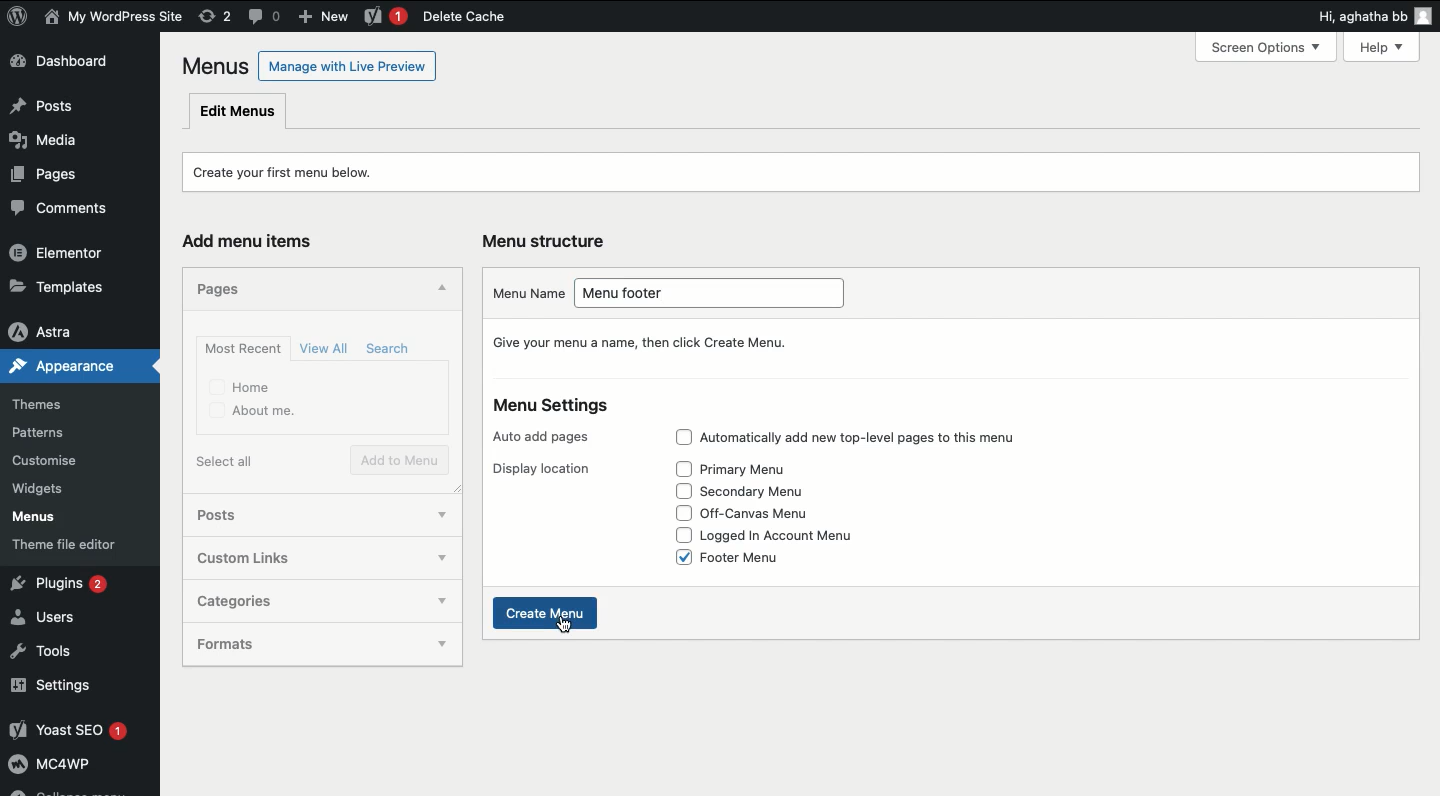  I want to click on Primary menu, so click(752, 469).